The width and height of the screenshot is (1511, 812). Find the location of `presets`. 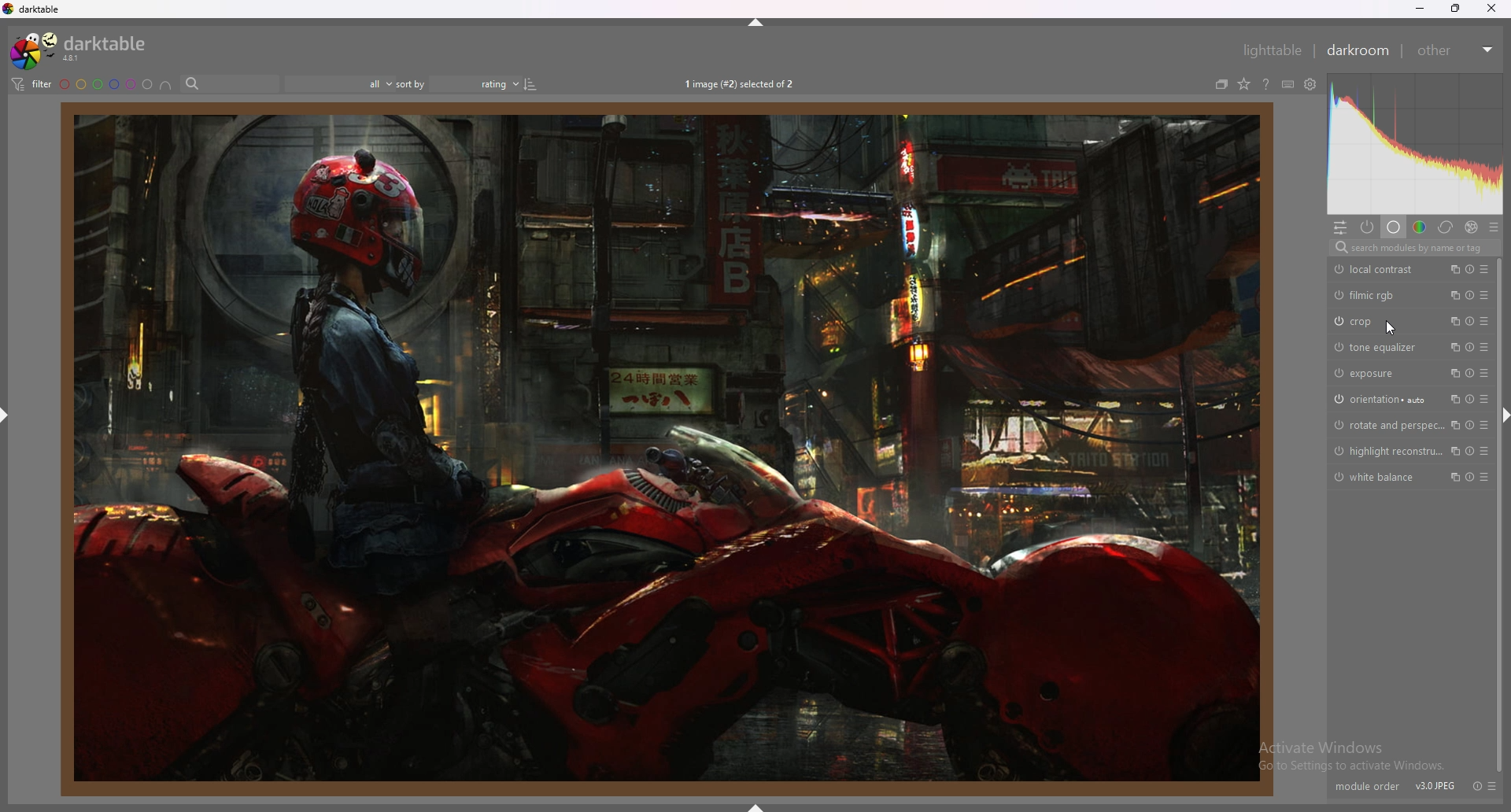

presets is located at coordinates (1484, 269).